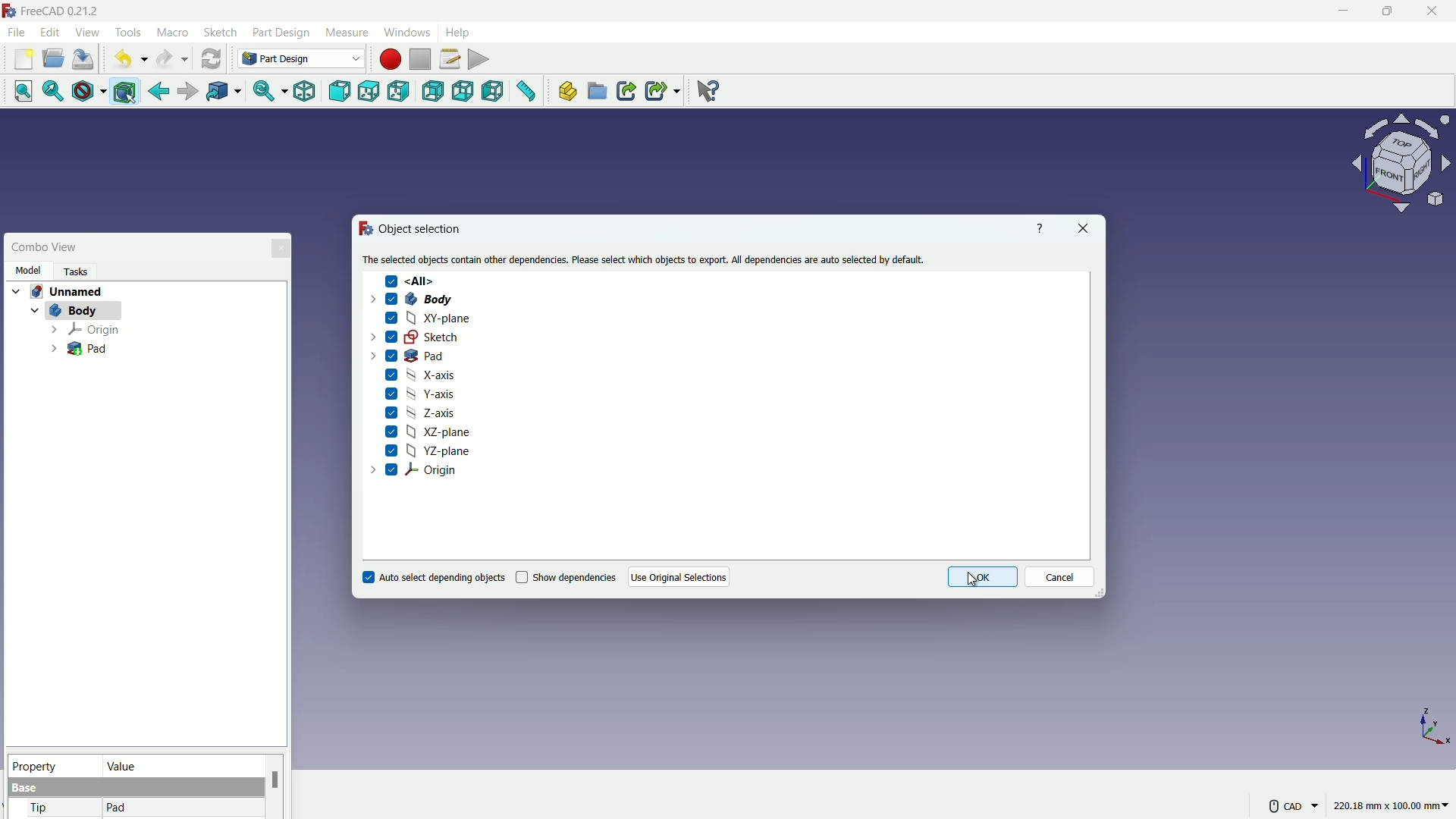 The width and height of the screenshot is (1456, 819). What do you see at coordinates (370, 299) in the screenshot?
I see `dropdown` at bounding box center [370, 299].